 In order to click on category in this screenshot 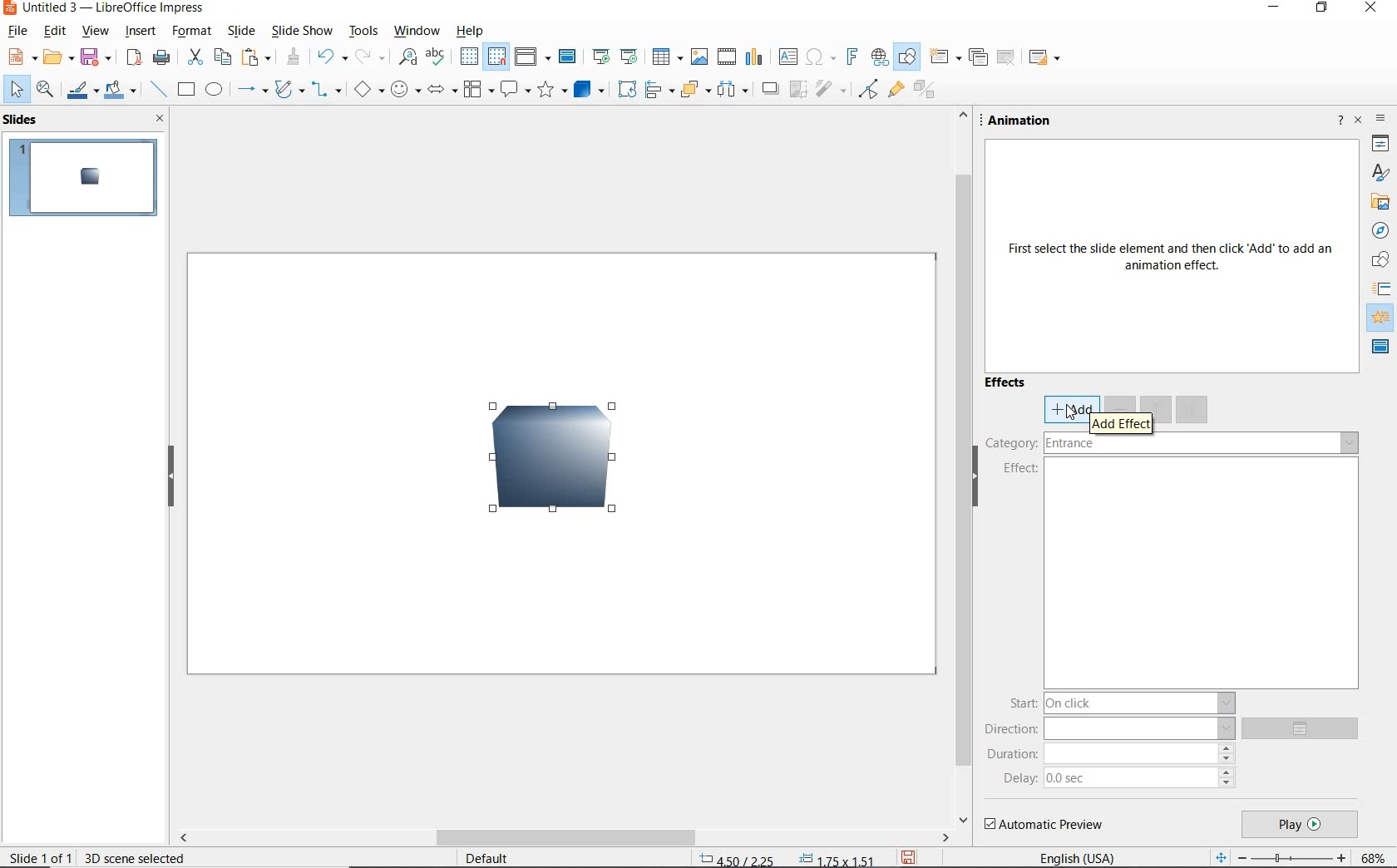, I will do `click(1172, 445)`.